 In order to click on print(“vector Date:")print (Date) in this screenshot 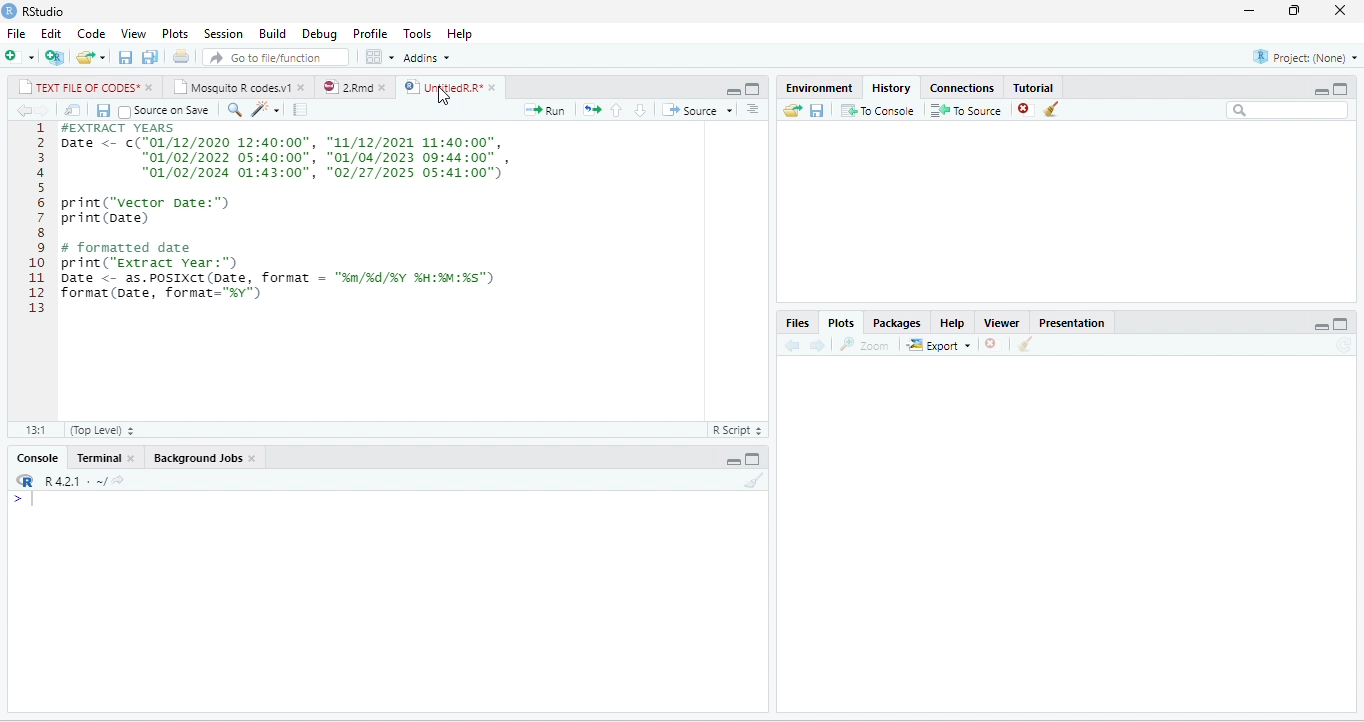, I will do `click(145, 210)`.